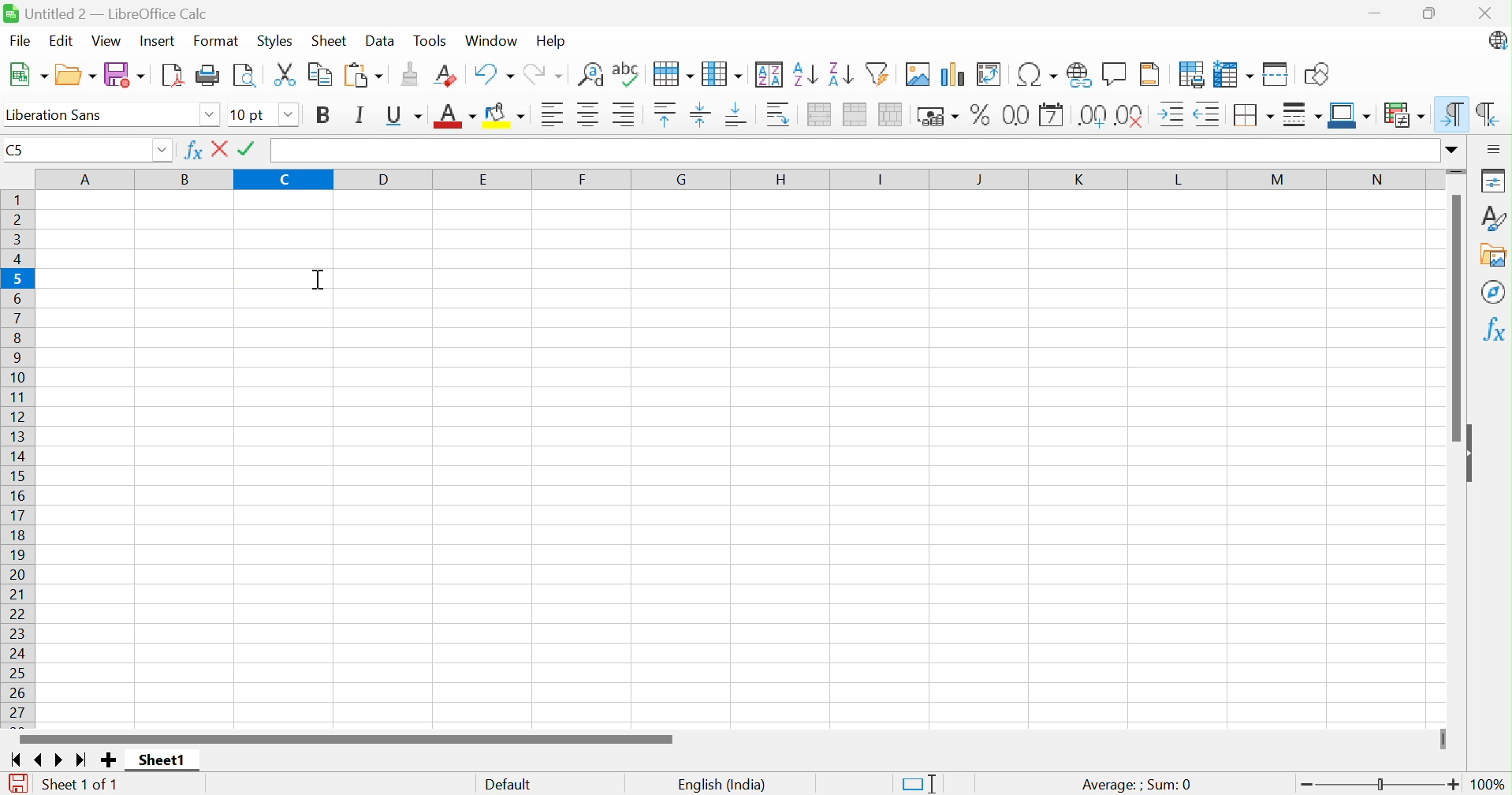 The width and height of the screenshot is (1512, 795). I want to click on Autofilter, so click(881, 74).